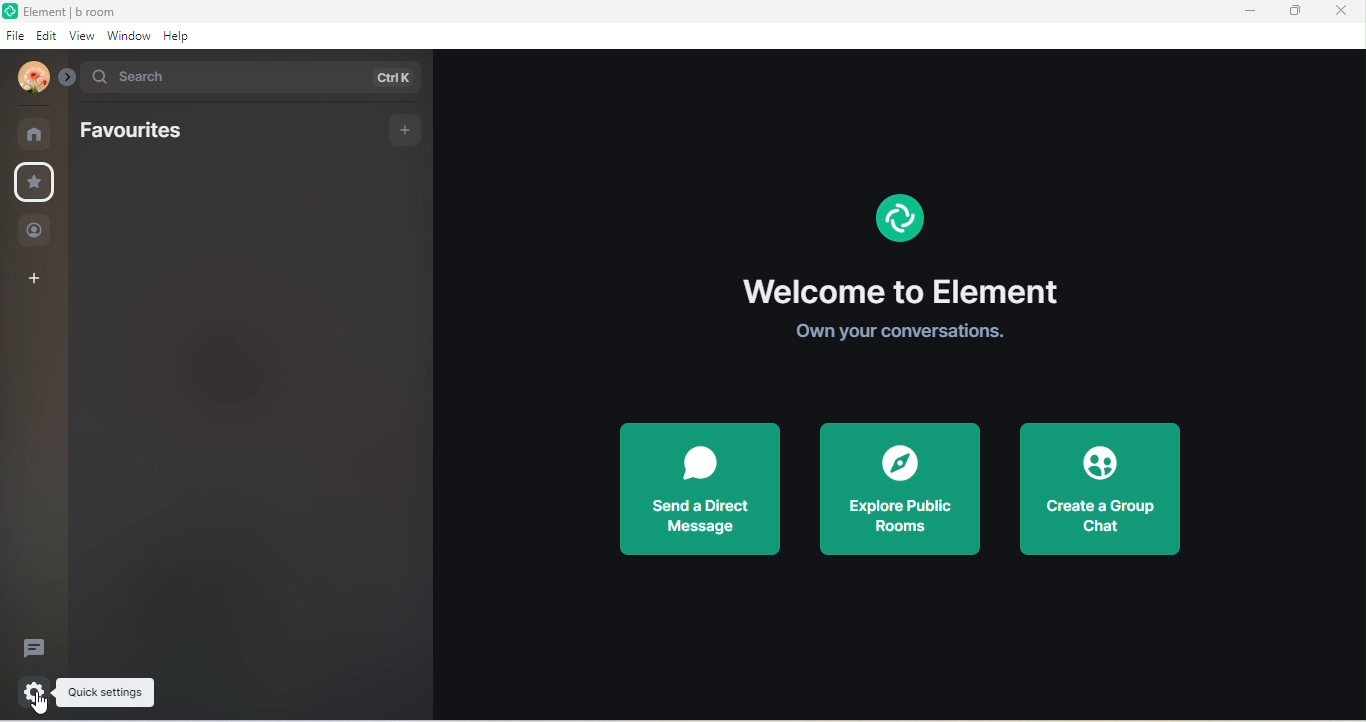 The image size is (1366, 722). Describe the element at coordinates (47, 35) in the screenshot. I see `edit` at that location.